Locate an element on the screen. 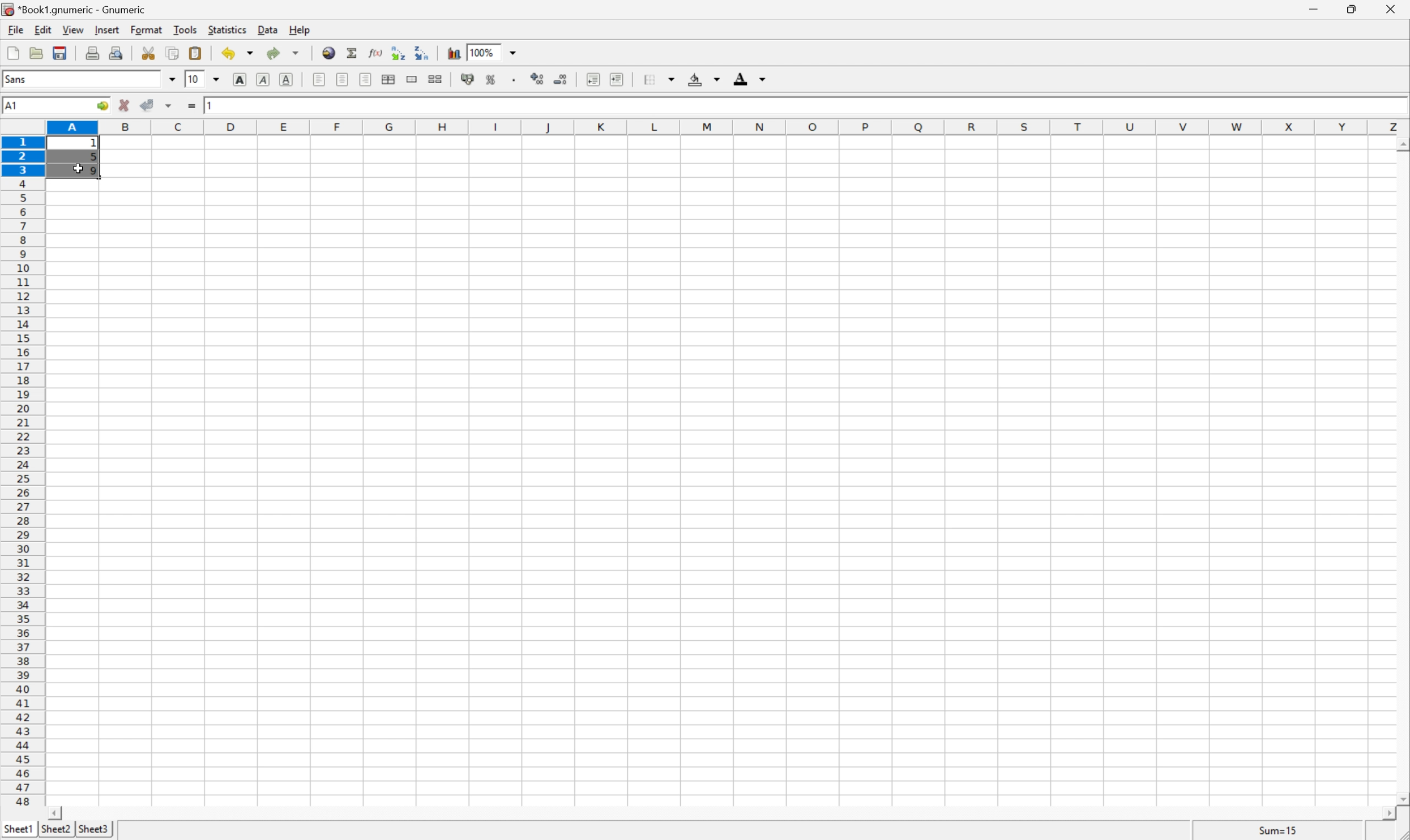  insert is located at coordinates (106, 28).